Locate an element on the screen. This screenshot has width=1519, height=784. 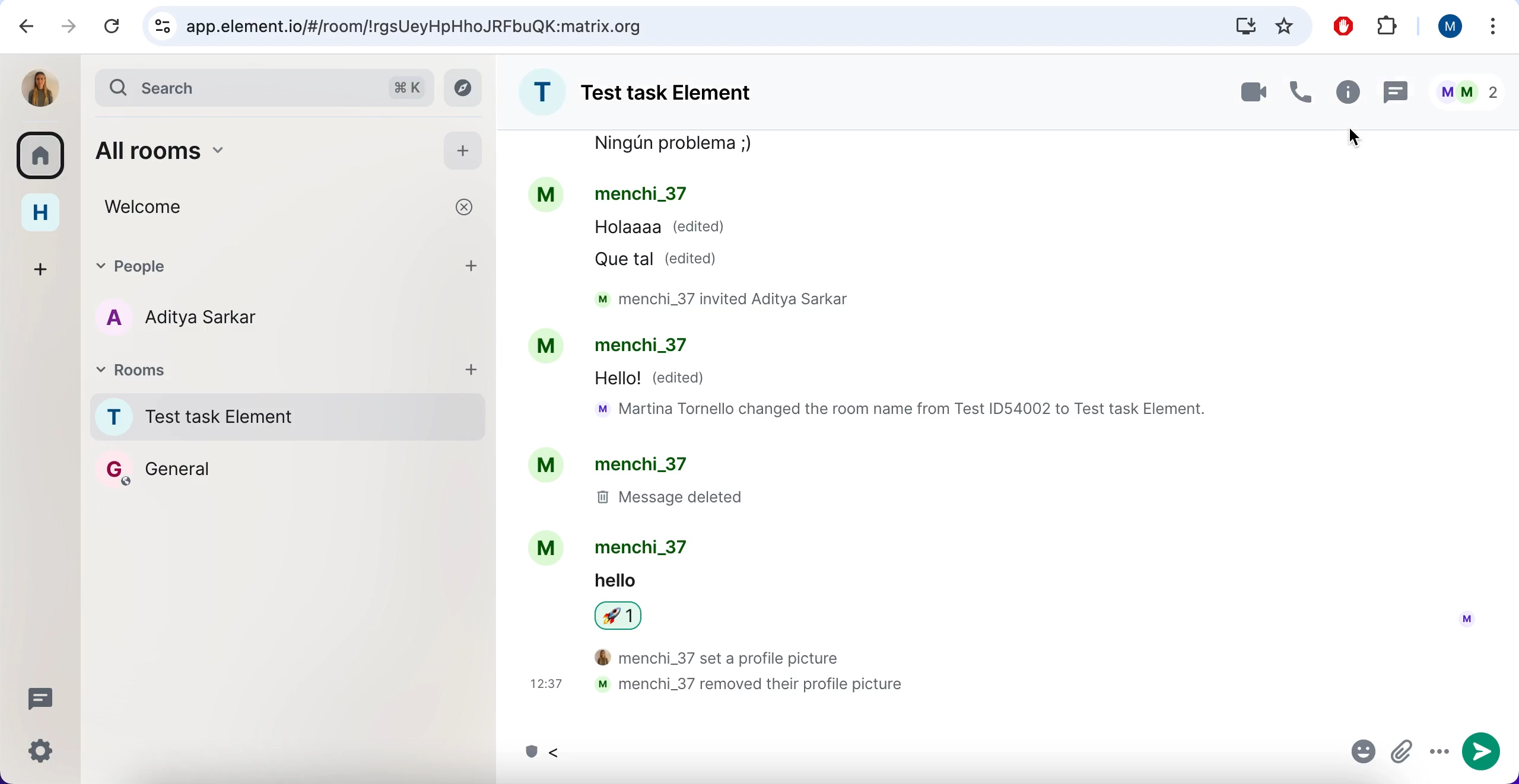
emoji is located at coordinates (1359, 754).